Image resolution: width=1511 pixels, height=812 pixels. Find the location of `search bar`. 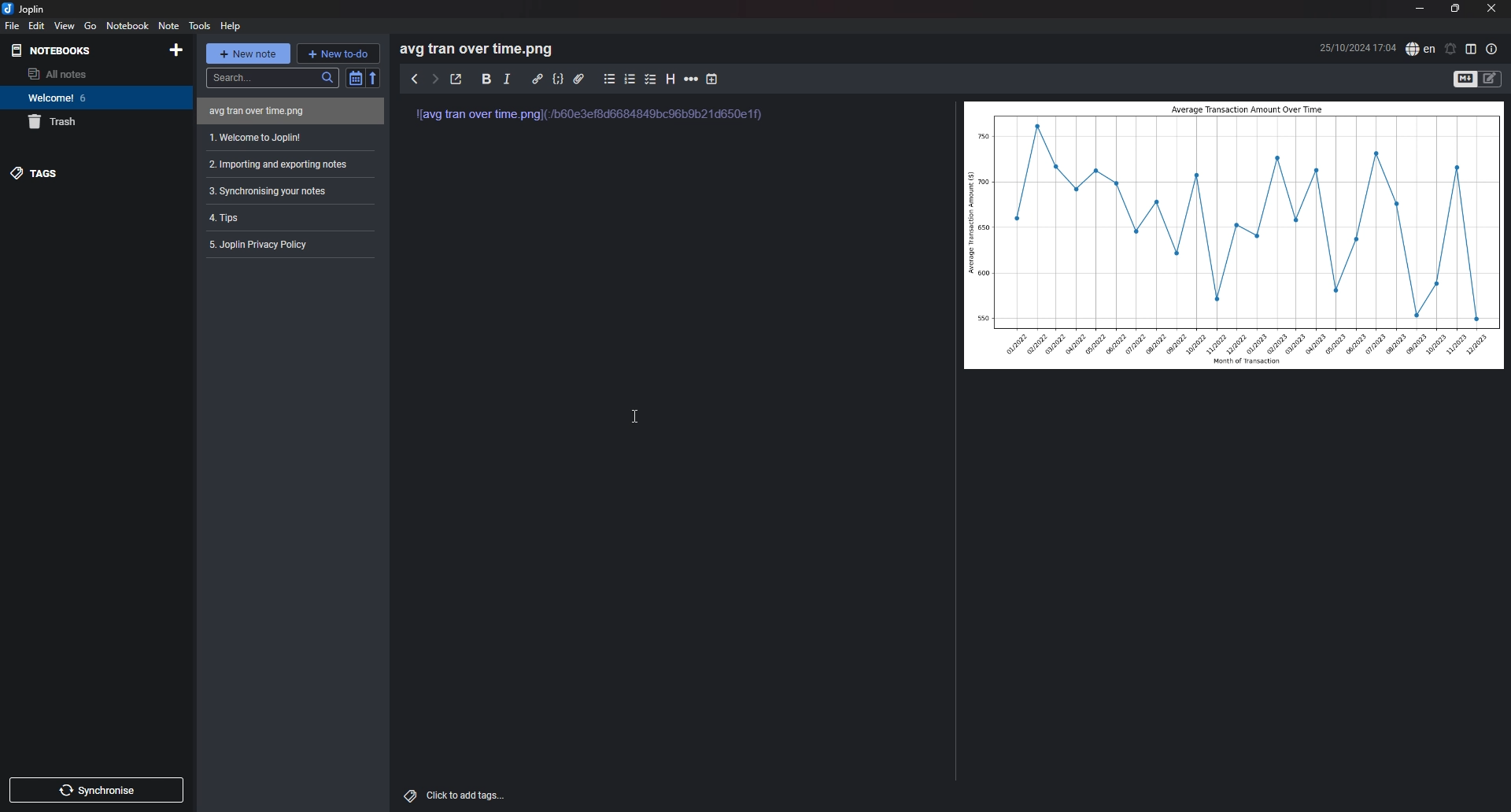

search bar is located at coordinates (271, 77).